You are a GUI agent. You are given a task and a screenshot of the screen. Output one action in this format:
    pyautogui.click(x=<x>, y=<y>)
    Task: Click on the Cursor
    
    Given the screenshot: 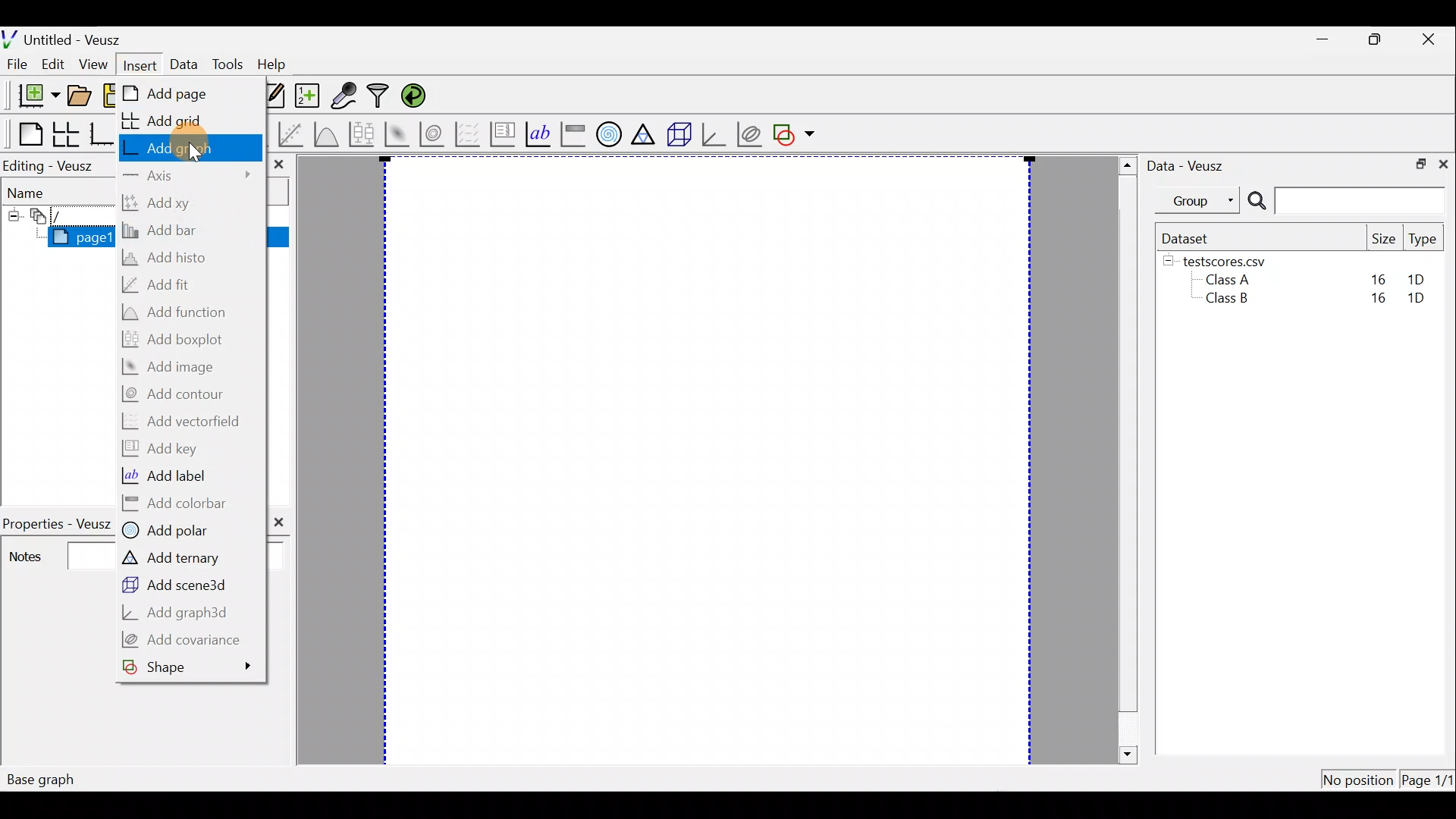 What is the action you would take?
    pyautogui.click(x=191, y=147)
    